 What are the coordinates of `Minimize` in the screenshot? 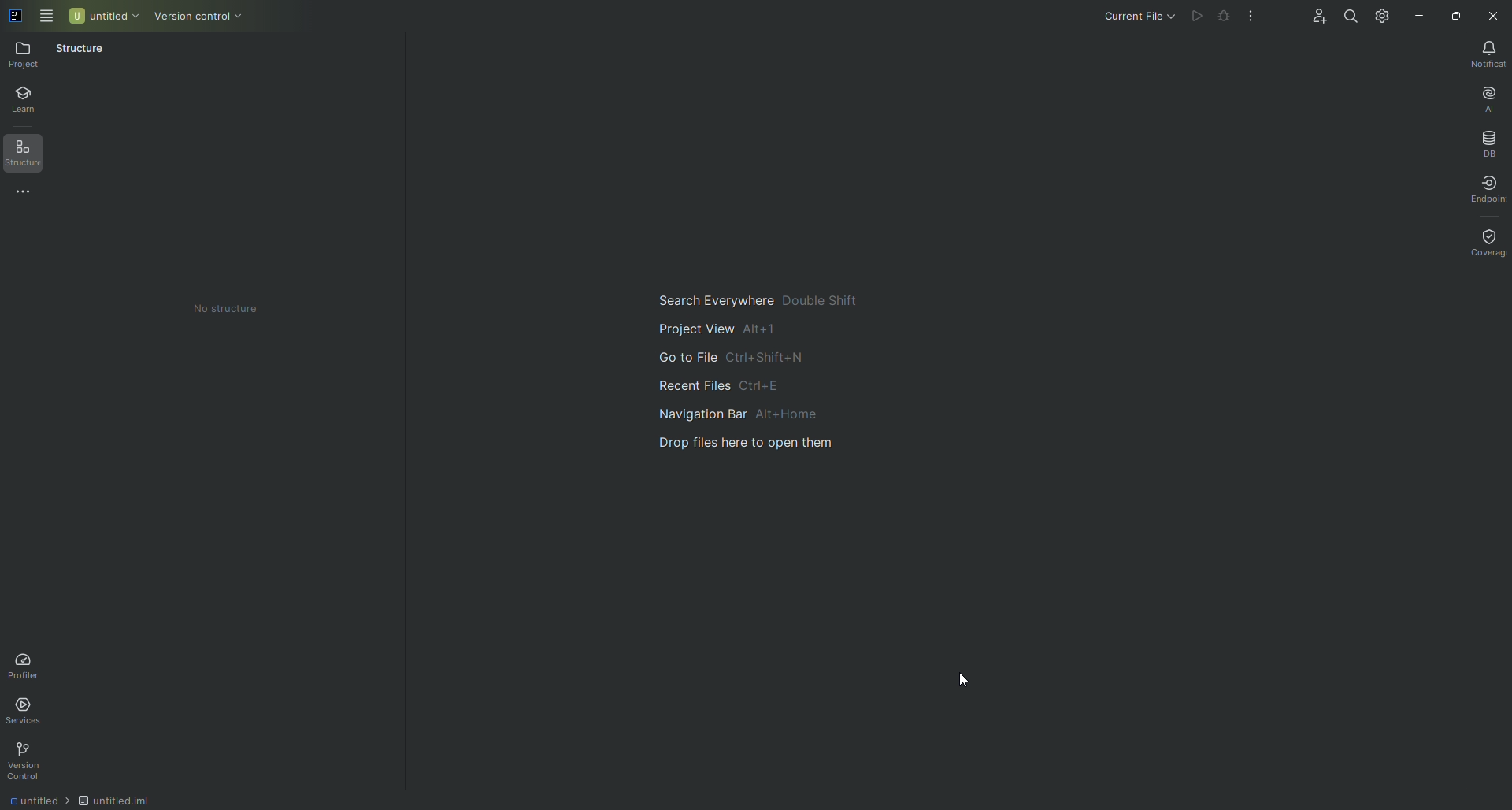 It's located at (1418, 14).